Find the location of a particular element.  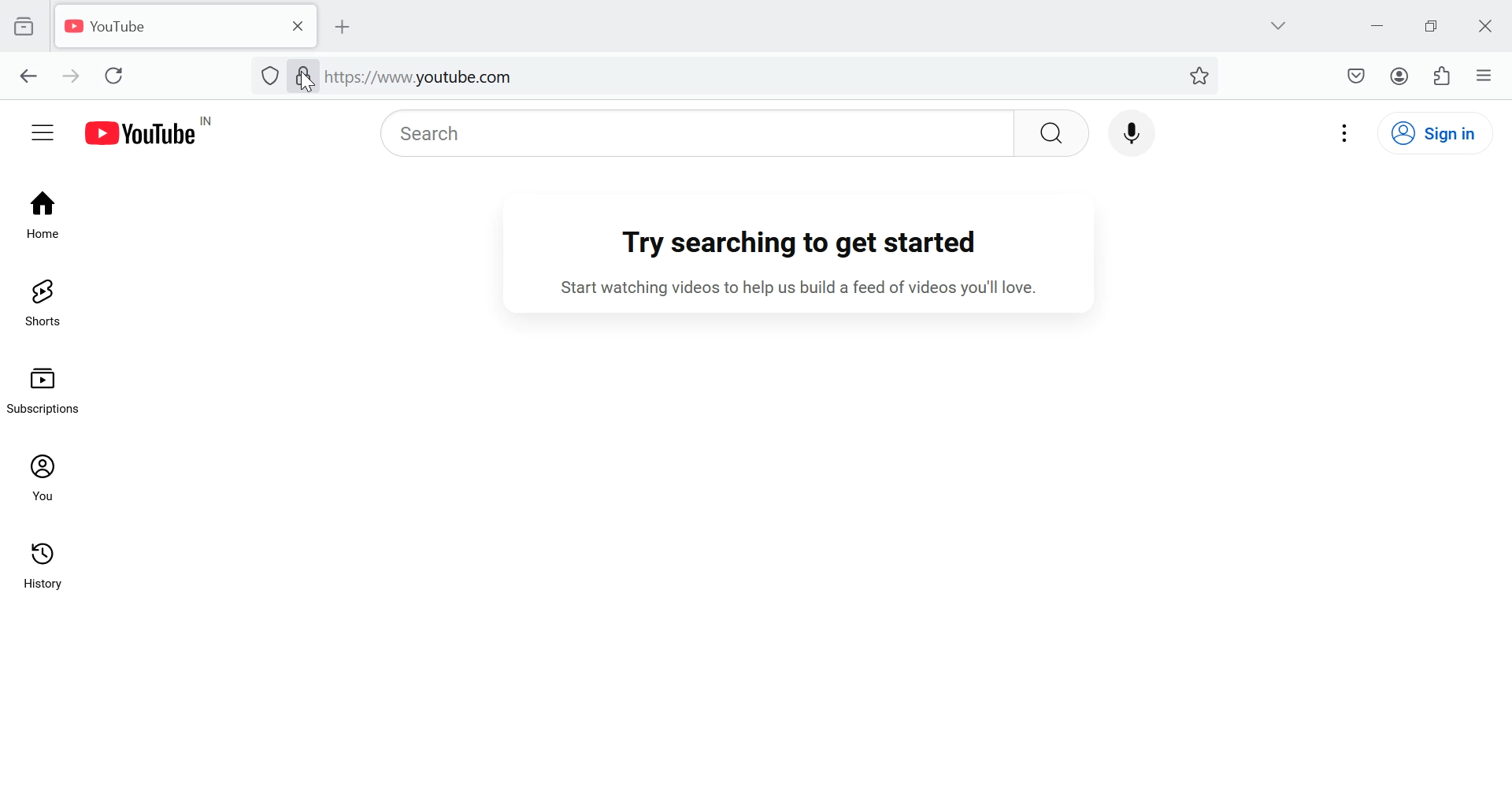

List all tabs is located at coordinates (1277, 24).